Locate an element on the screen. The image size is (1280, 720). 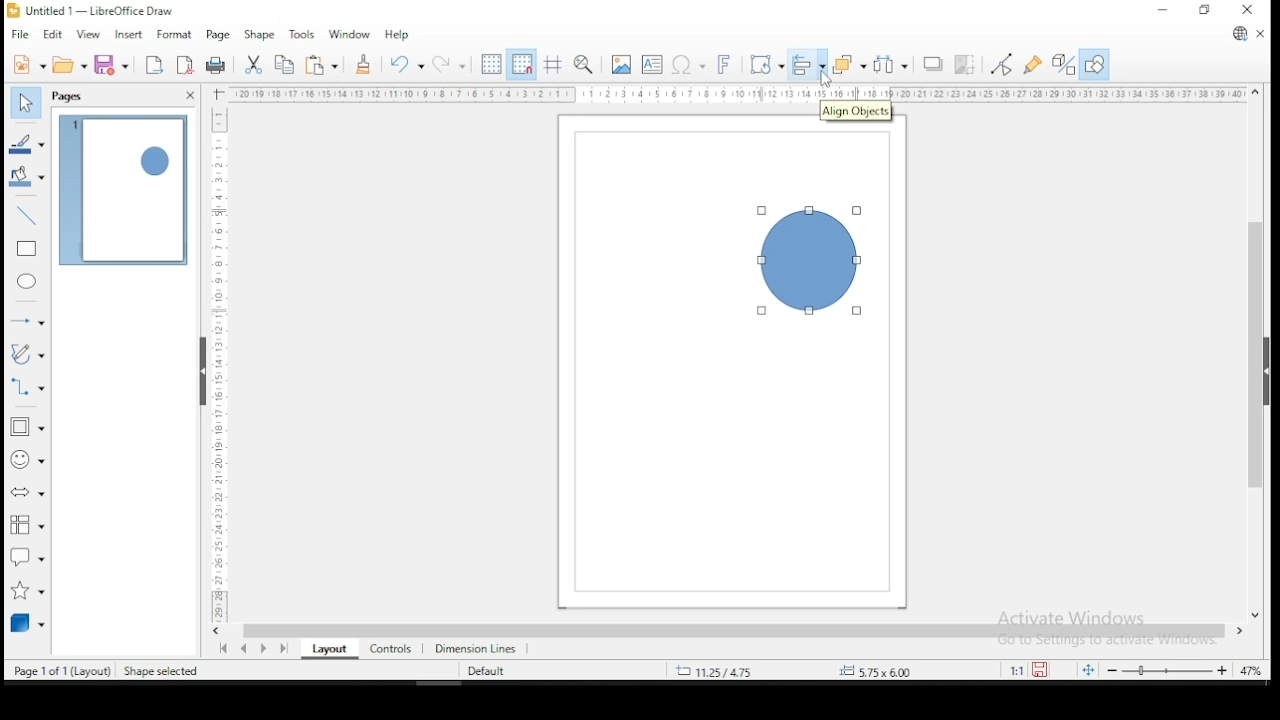
export as PDF is located at coordinates (186, 63).